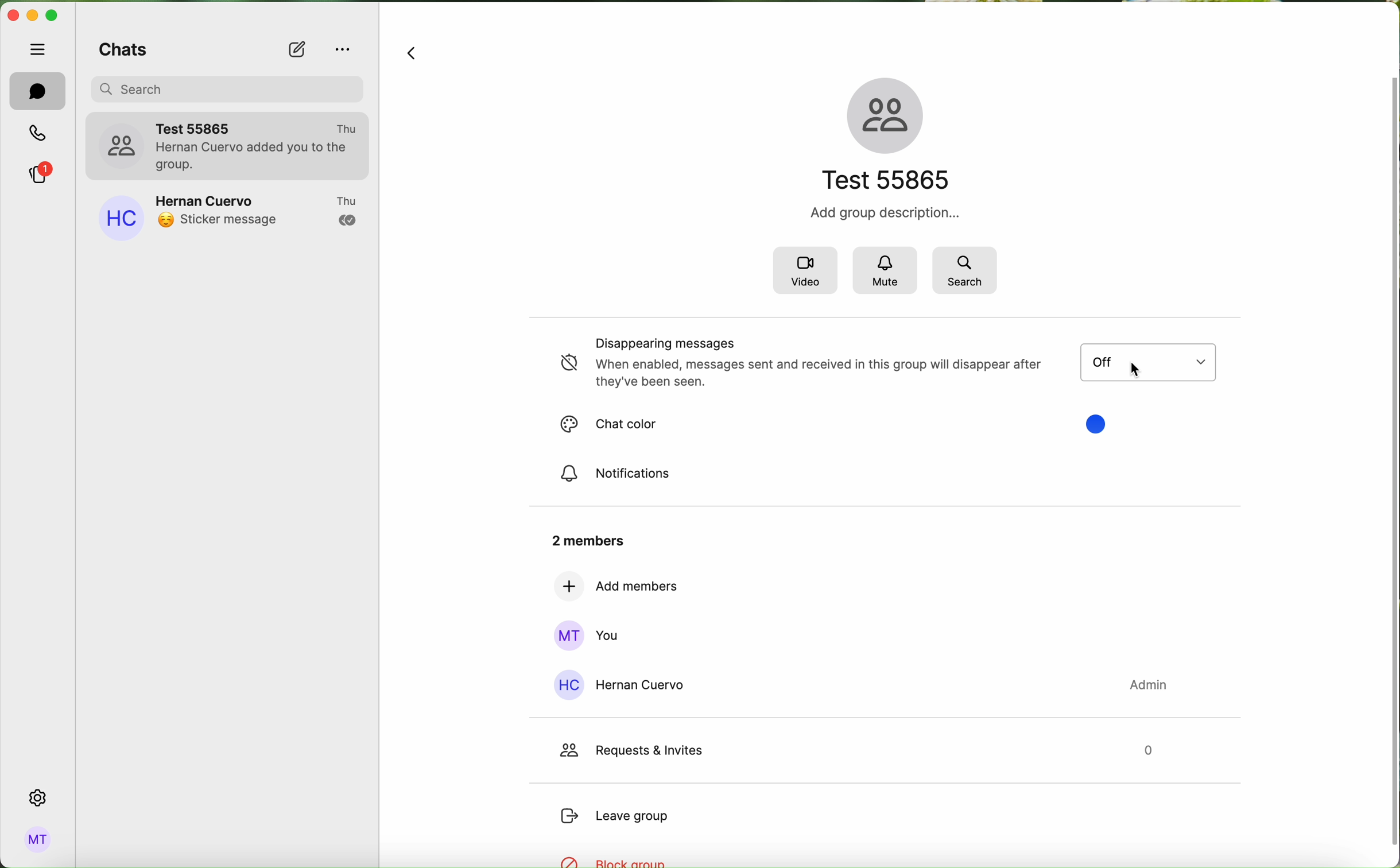 This screenshot has width=1400, height=868. What do you see at coordinates (619, 862) in the screenshot?
I see `block group` at bounding box center [619, 862].